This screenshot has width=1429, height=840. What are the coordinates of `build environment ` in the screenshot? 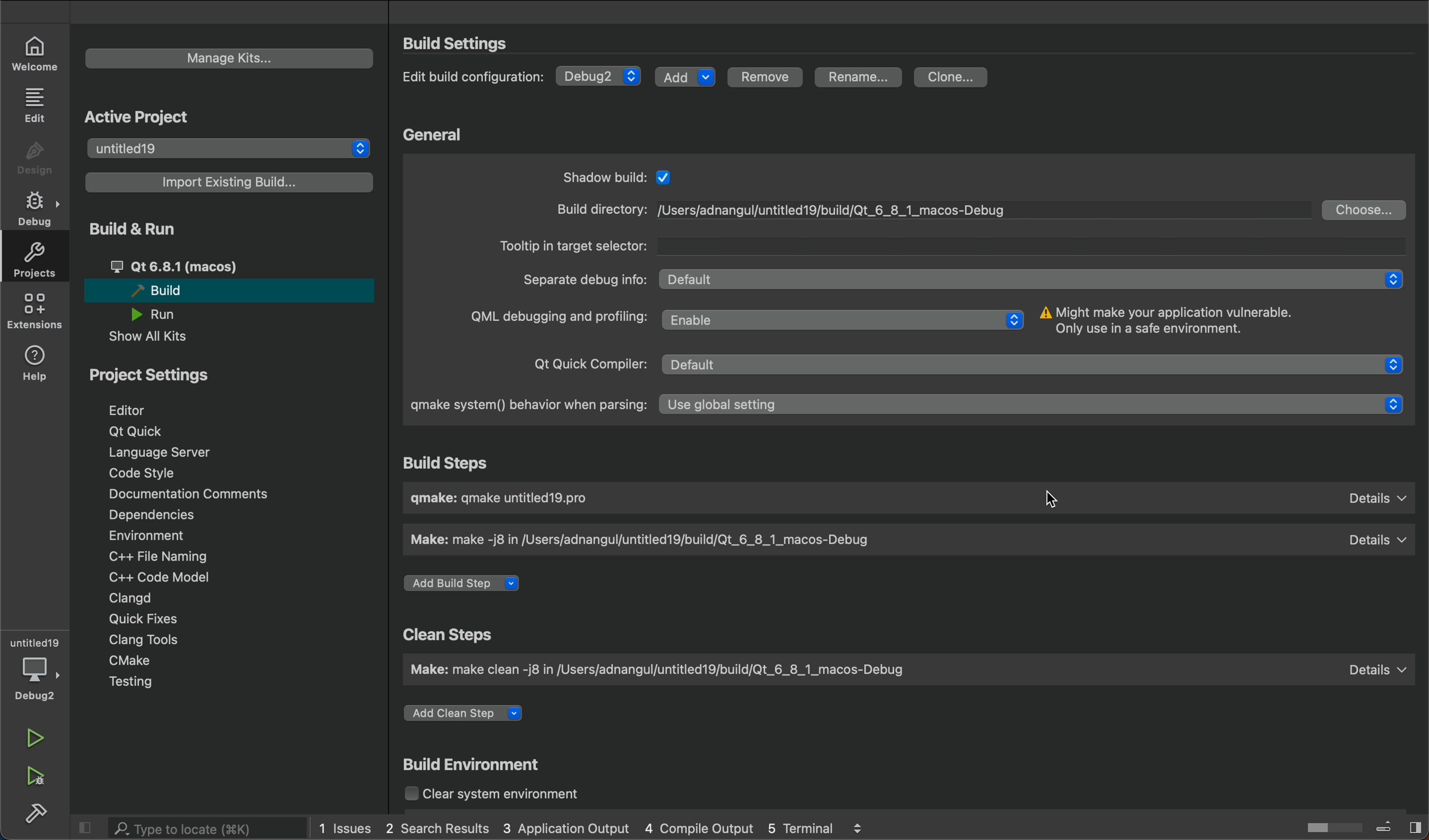 It's located at (477, 766).